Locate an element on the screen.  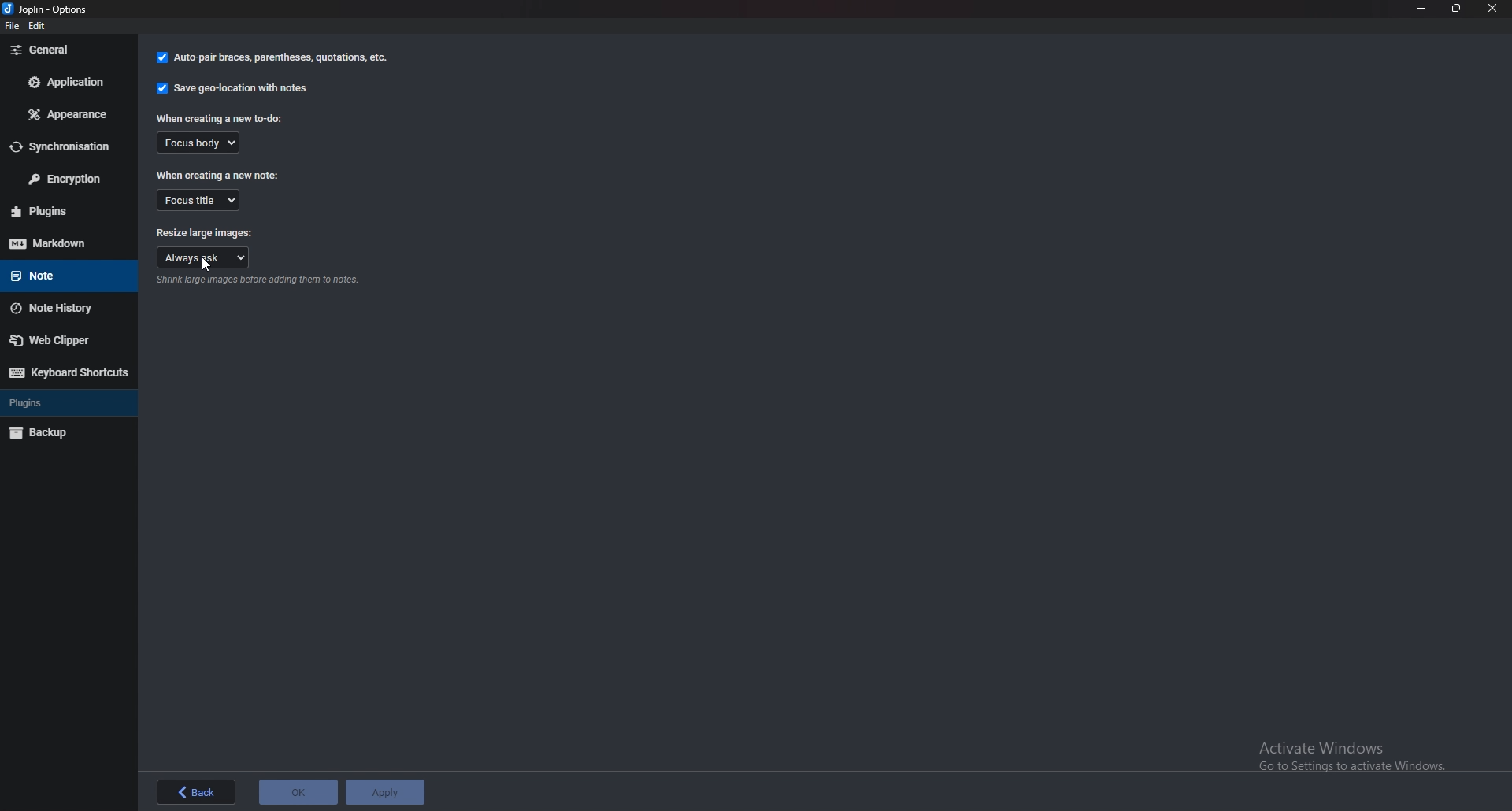
Info is located at coordinates (258, 281).